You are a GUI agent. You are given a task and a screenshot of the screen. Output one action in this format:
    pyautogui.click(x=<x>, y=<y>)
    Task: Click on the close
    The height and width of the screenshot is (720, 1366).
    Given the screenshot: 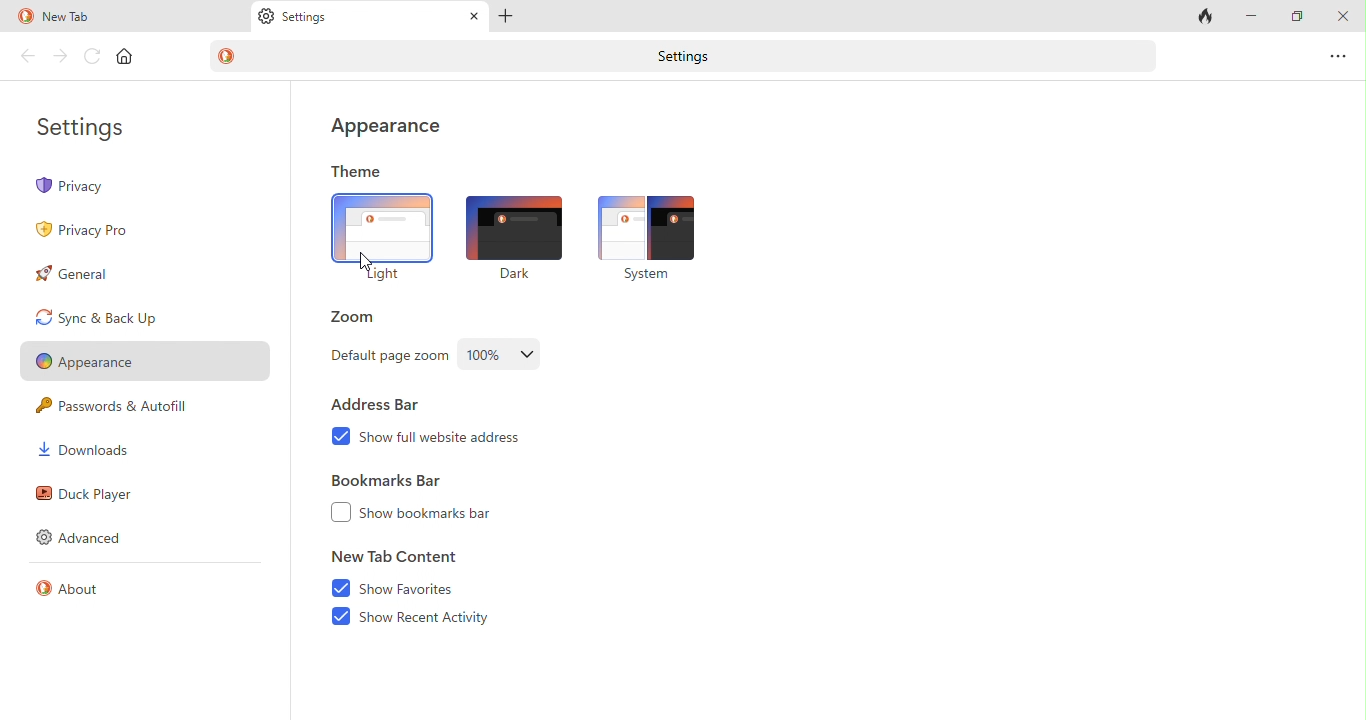 What is the action you would take?
    pyautogui.click(x=474, y=16)
    